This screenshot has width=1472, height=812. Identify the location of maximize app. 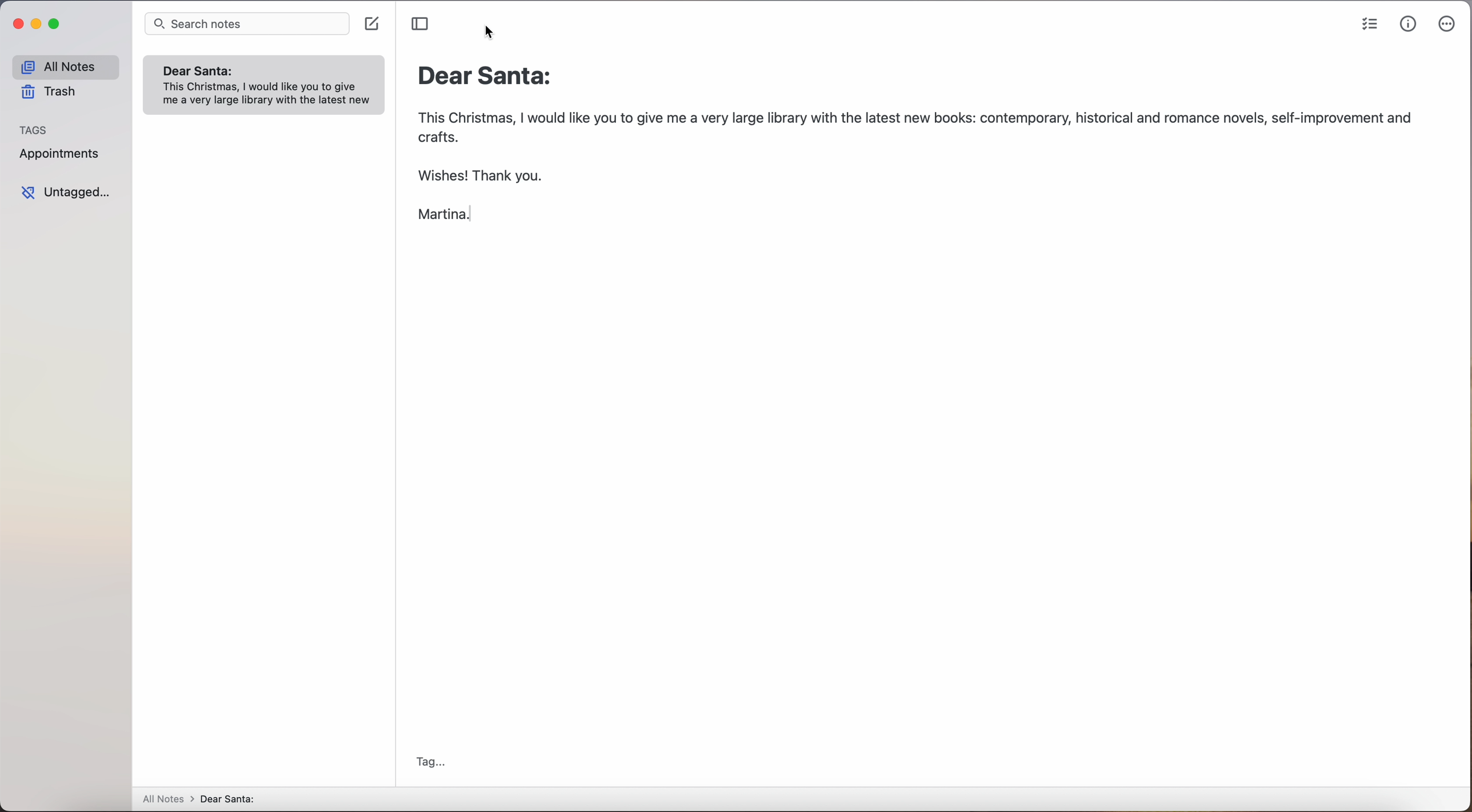
(56, 23).